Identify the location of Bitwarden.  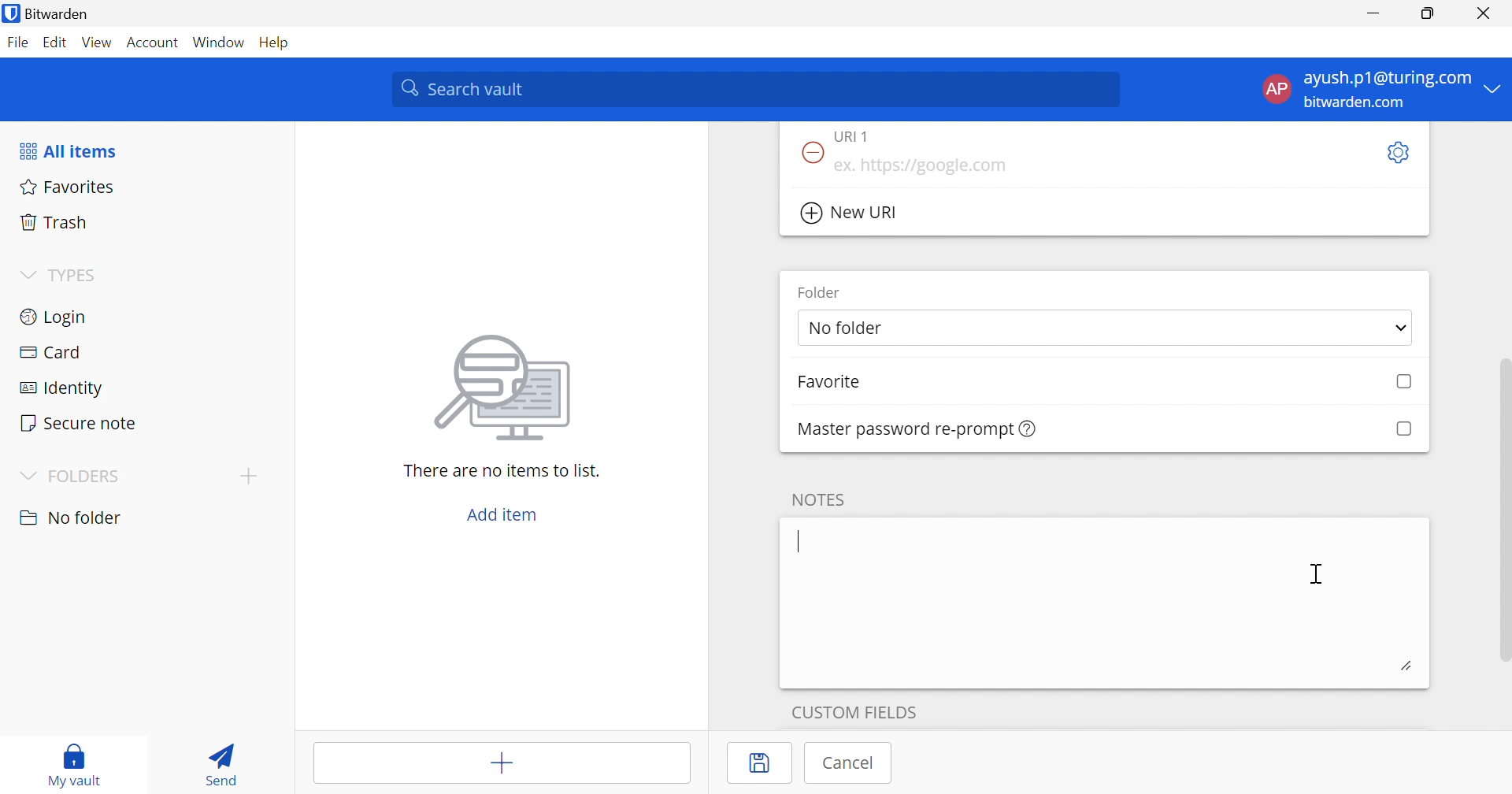
(48, 13).